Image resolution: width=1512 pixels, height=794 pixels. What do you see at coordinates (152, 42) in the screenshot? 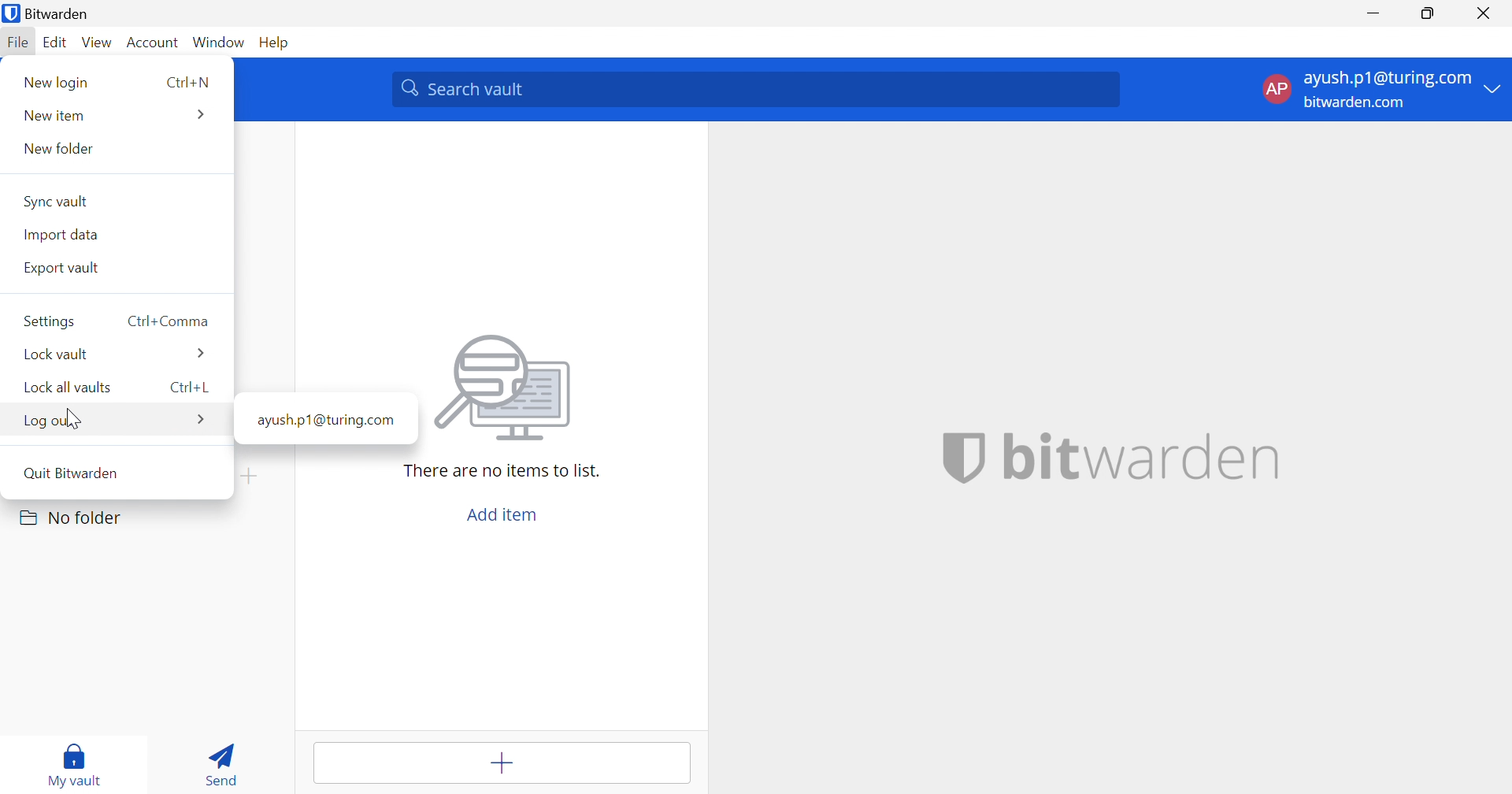
I see `Account` at bounding box center [152, 42].